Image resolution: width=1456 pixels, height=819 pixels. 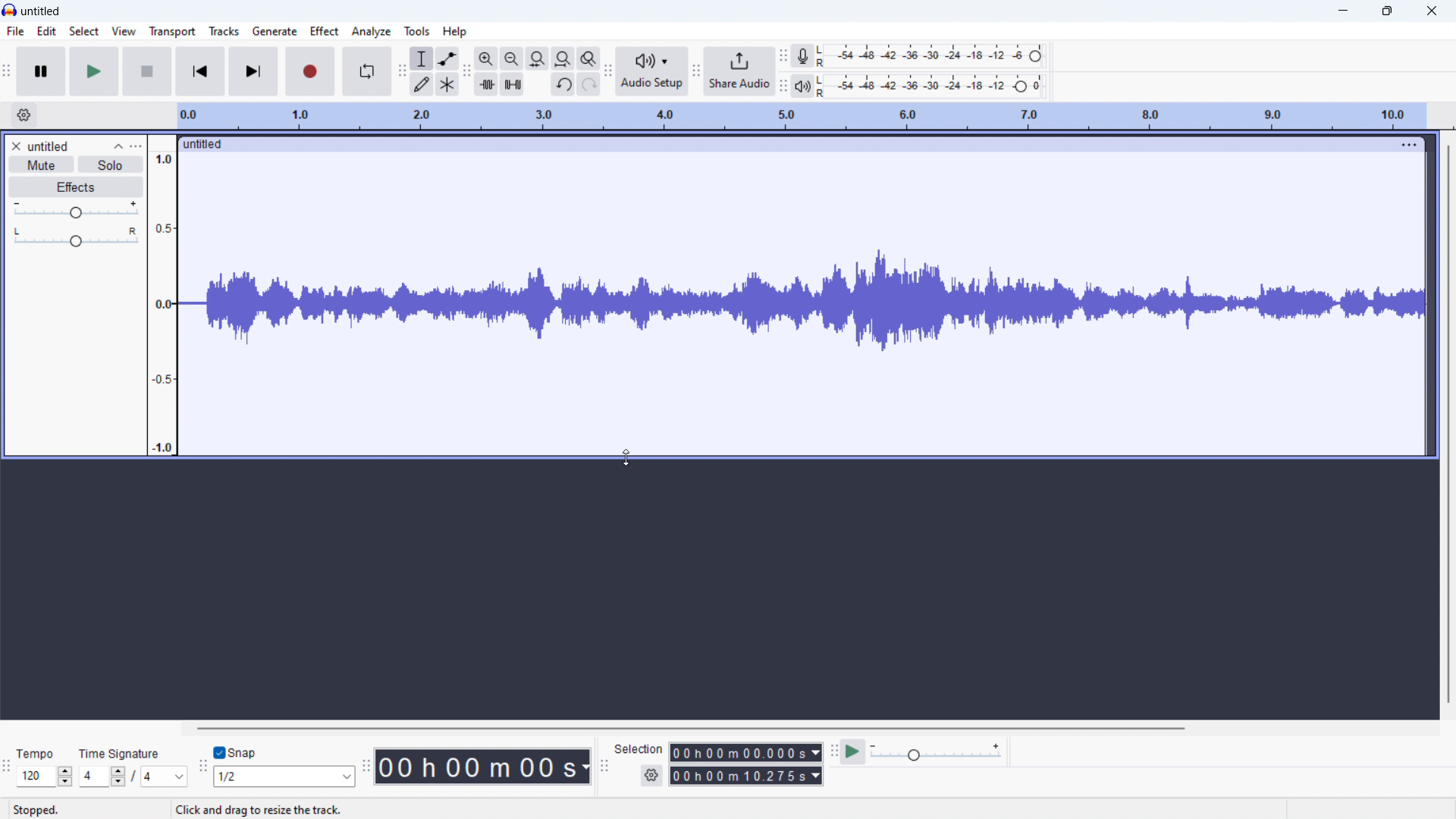 I want to click on view, so click(x=122, y=32).